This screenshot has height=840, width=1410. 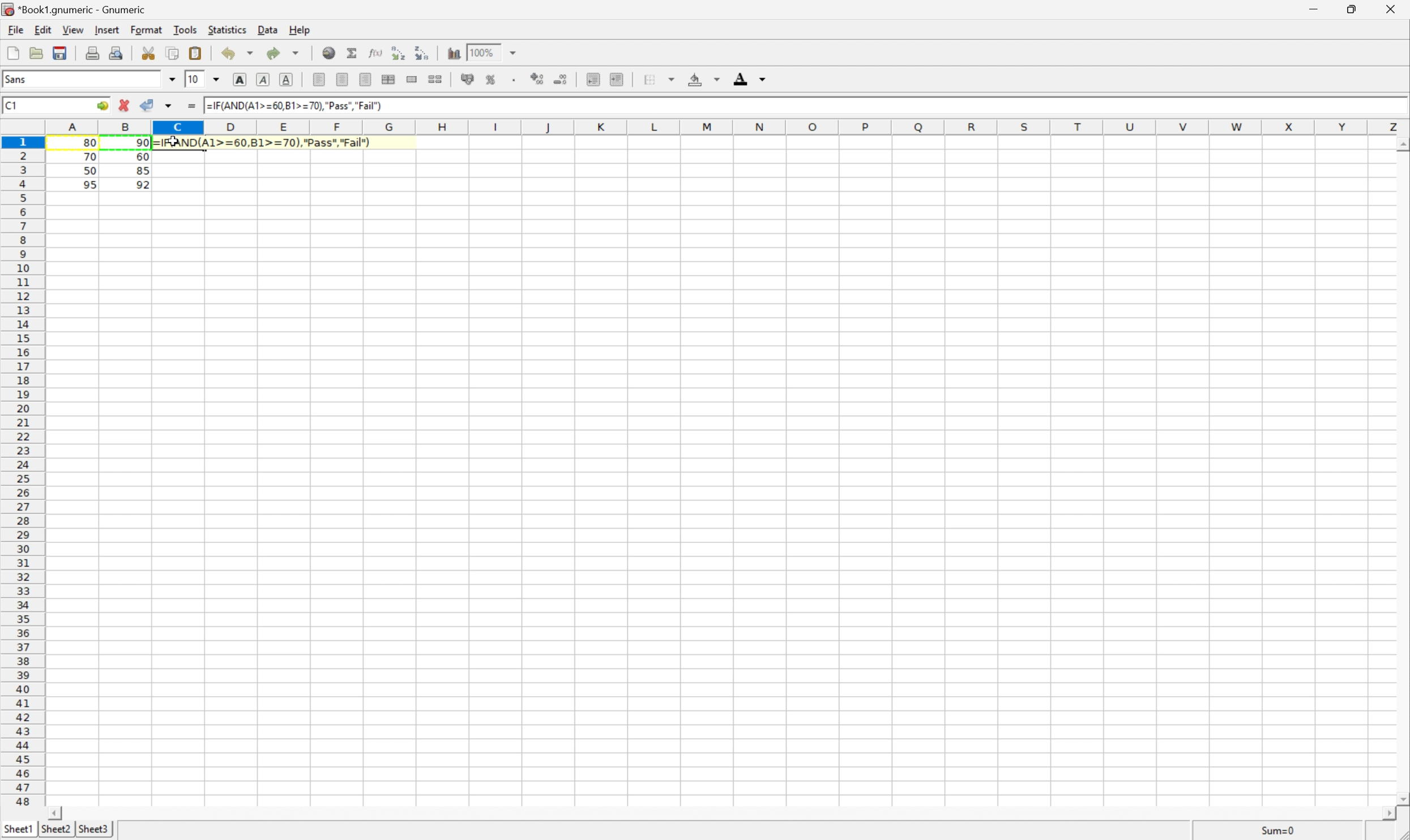 I want to click on Tools, so click(x=184, y=29).